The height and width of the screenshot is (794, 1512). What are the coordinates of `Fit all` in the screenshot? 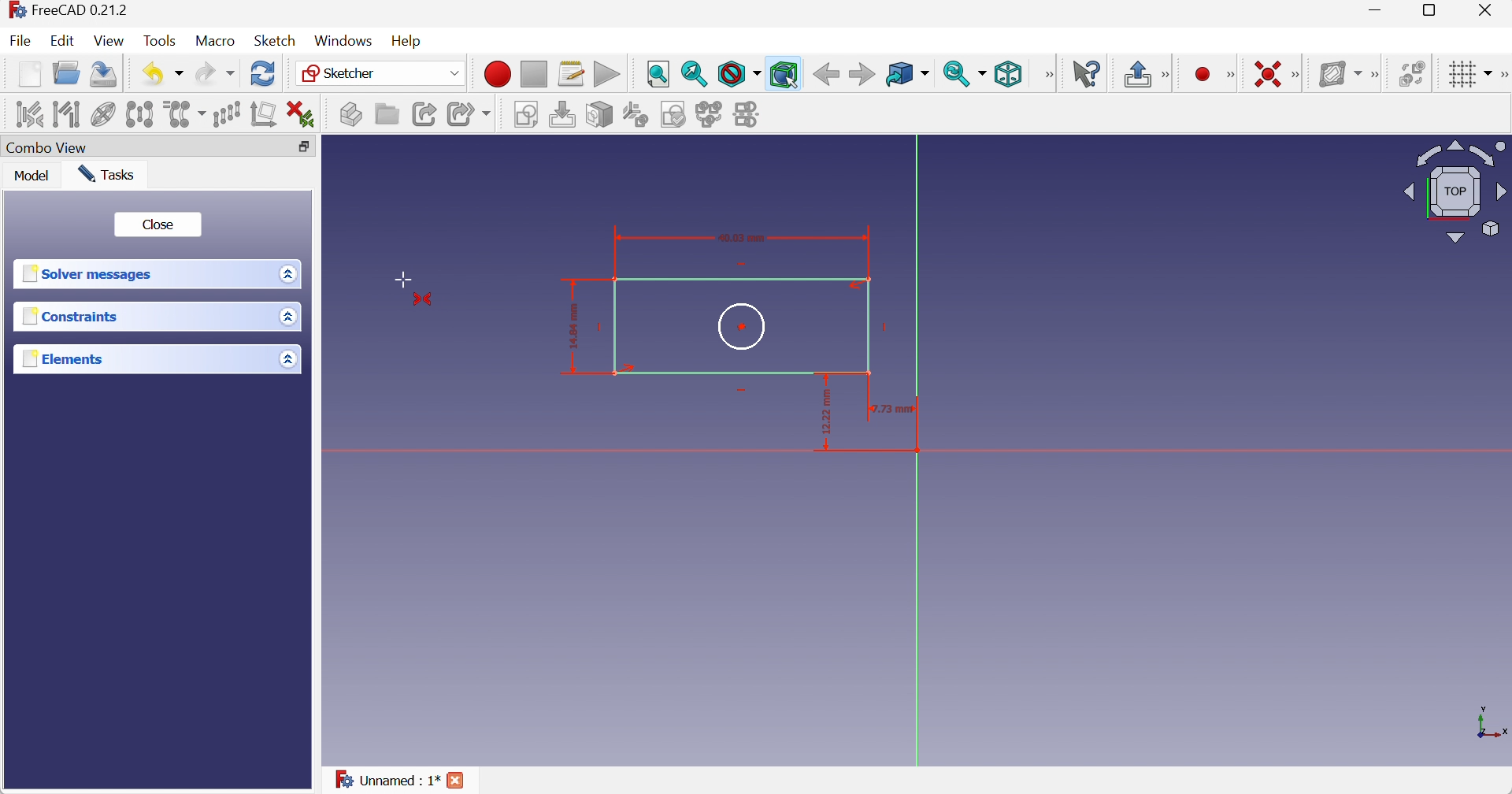 It's located at (659, 75).